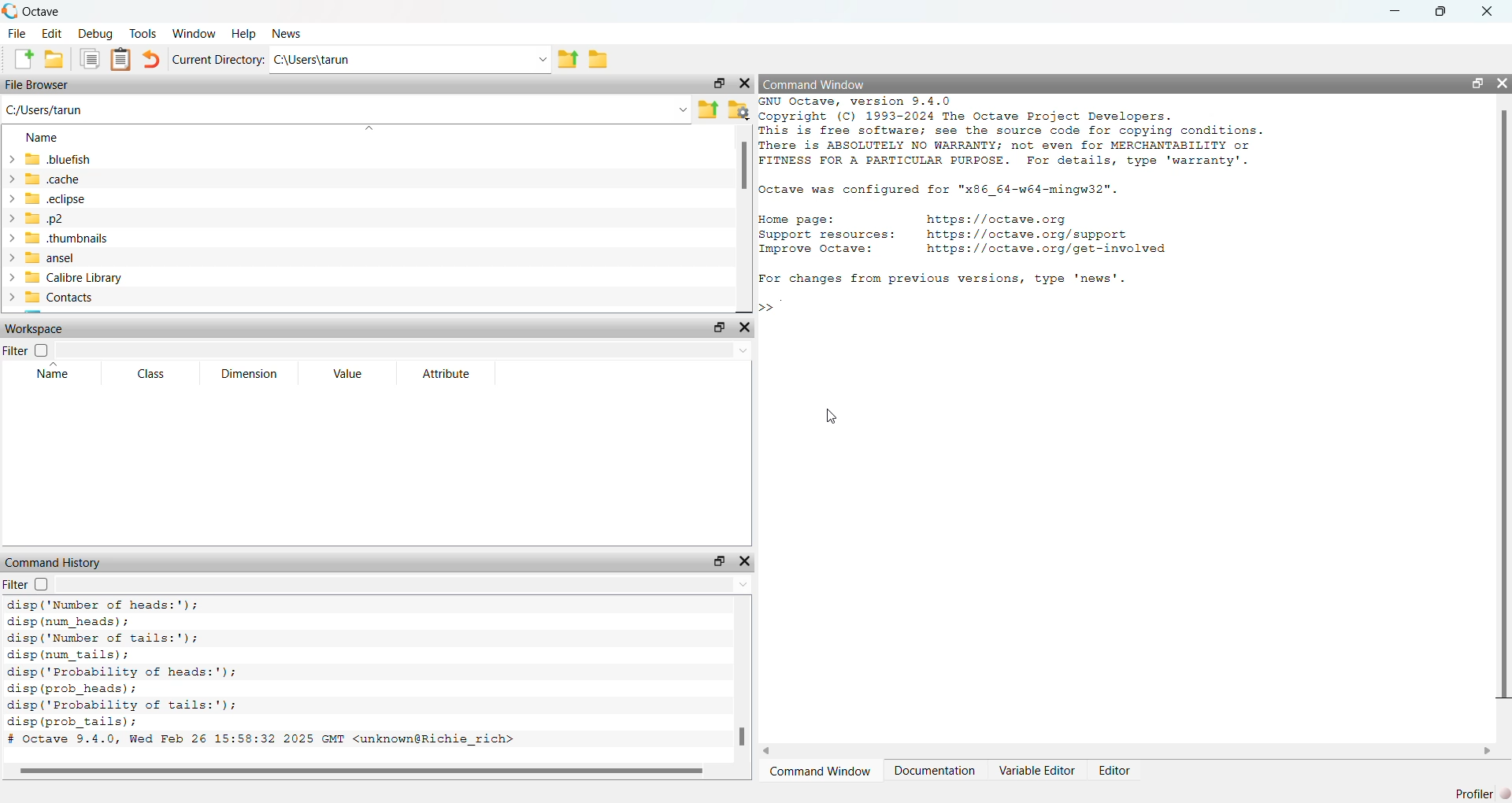  I want to click on News, so click(284, 32).